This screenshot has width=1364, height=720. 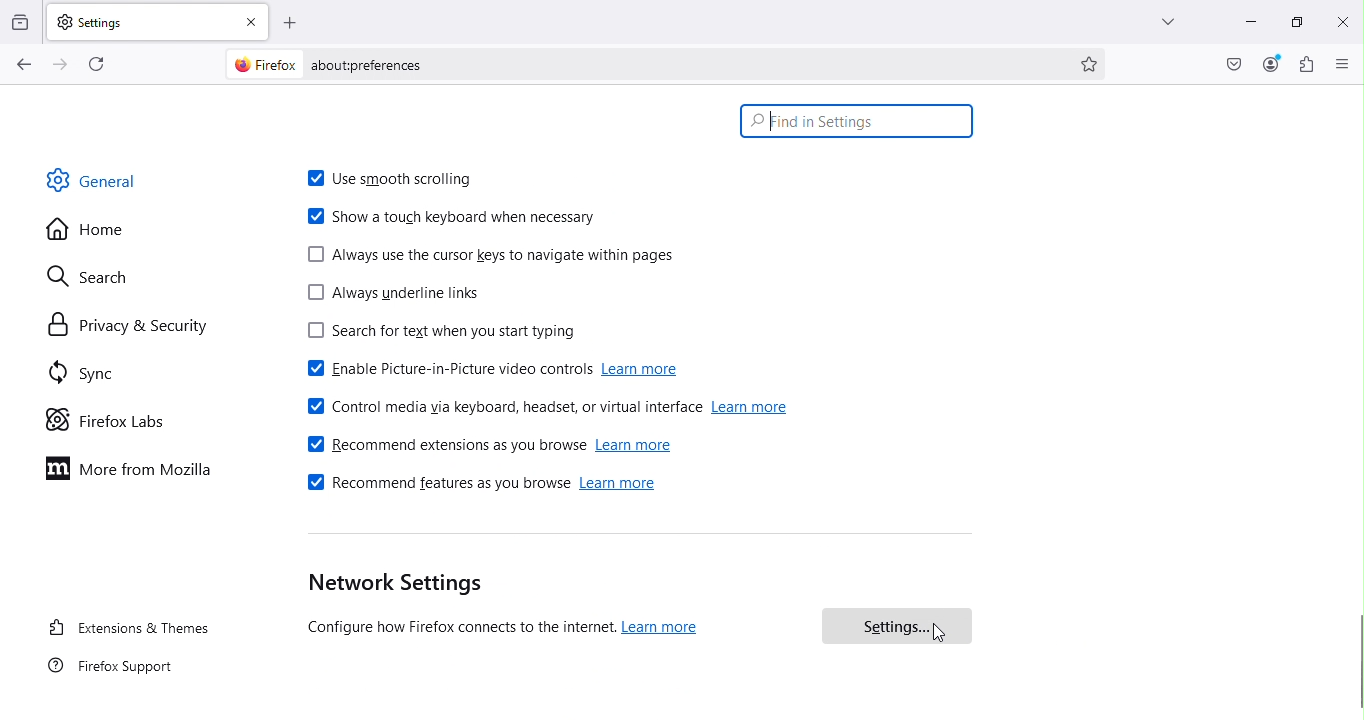 What do you see at coordinates (134, 467) in the screenshot?
I see `Move to Mozilla` at bounding box center [134, 467].